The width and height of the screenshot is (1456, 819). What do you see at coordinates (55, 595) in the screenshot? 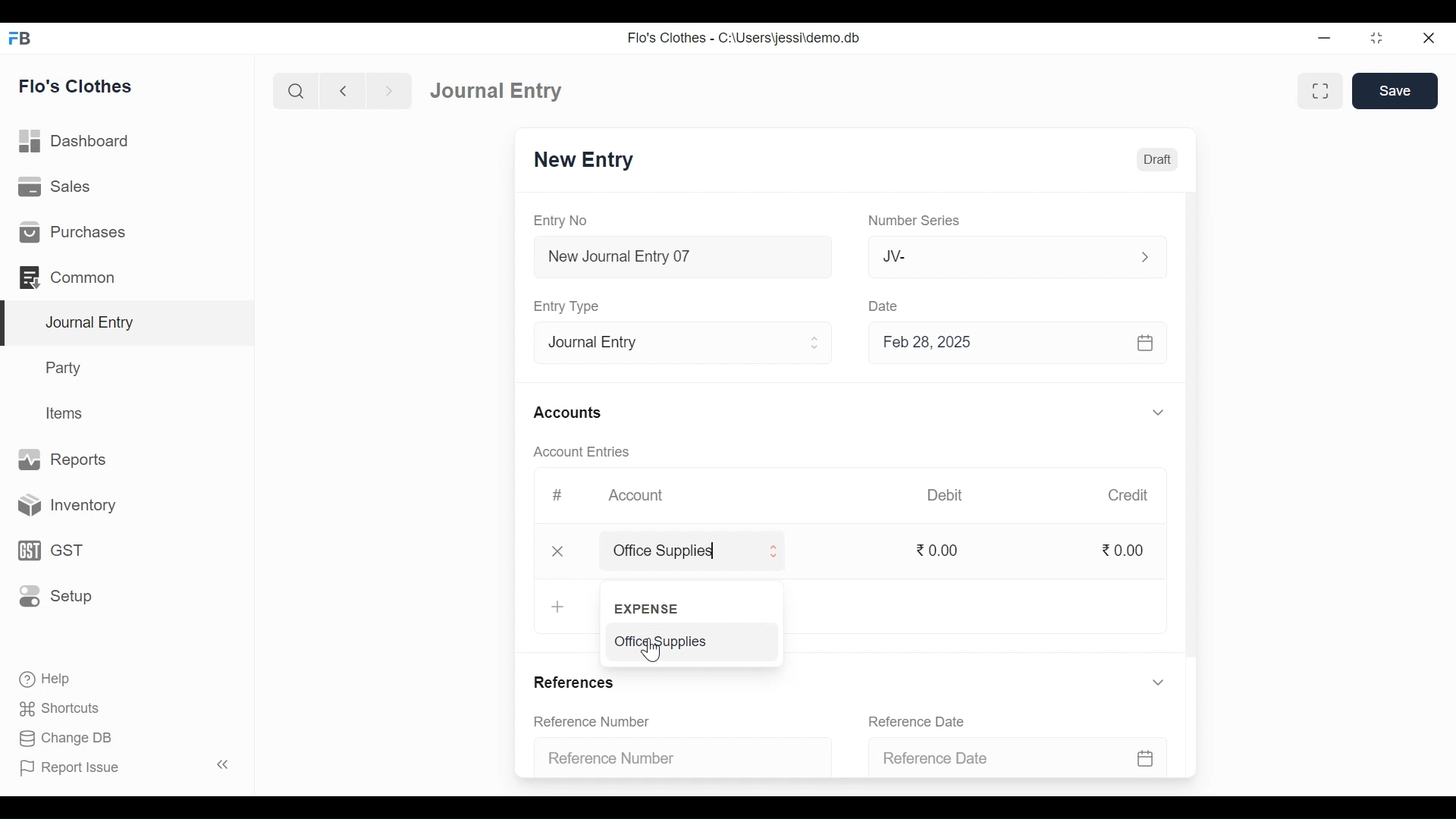
I see `Setup` at bounding box center [55, 595].